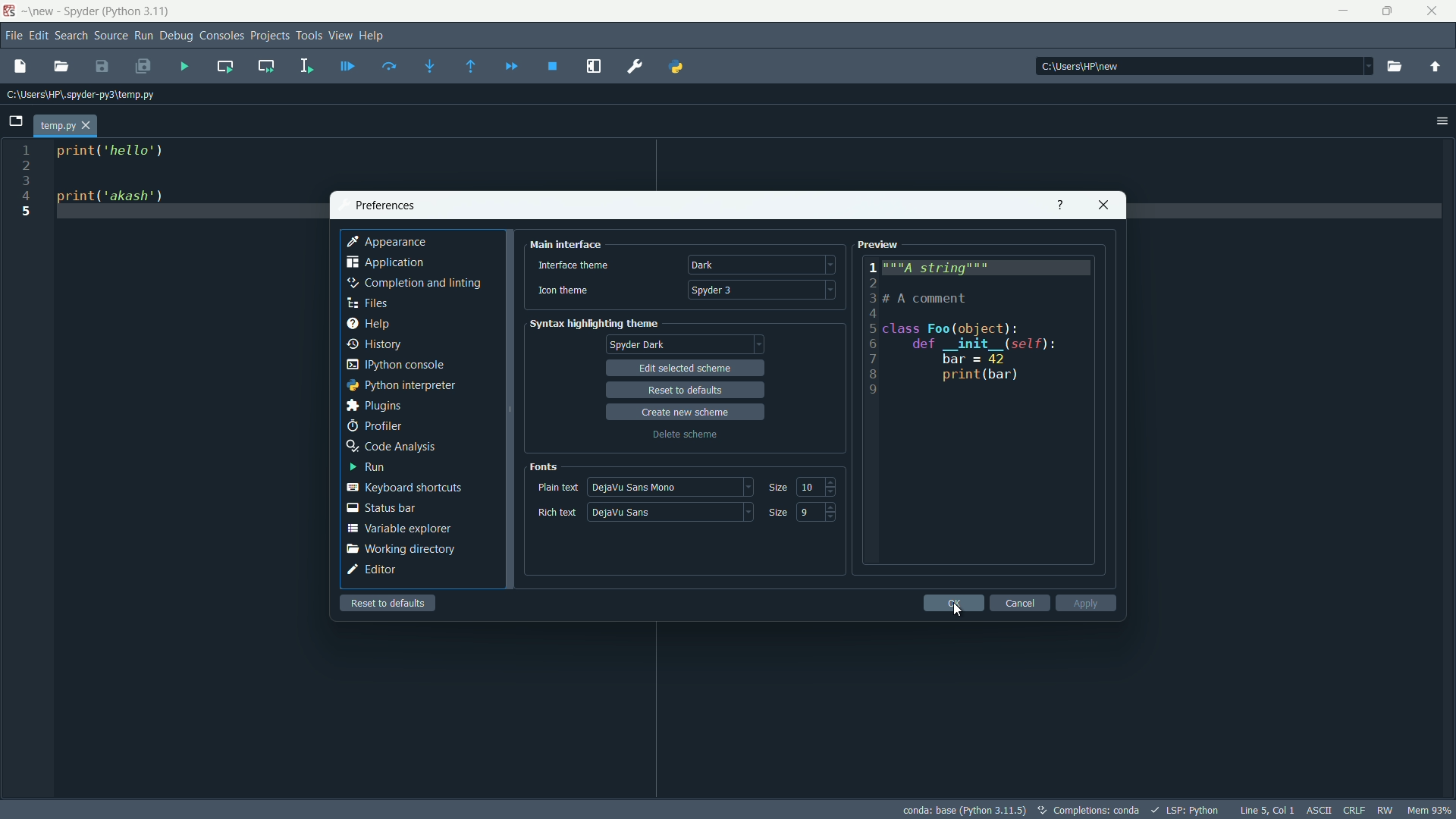 Image resolution: width=1456 pixels, height=819 pixels. Describe the element at coordinates (71, 36) in the screenshot. I see `search menu` at that location.